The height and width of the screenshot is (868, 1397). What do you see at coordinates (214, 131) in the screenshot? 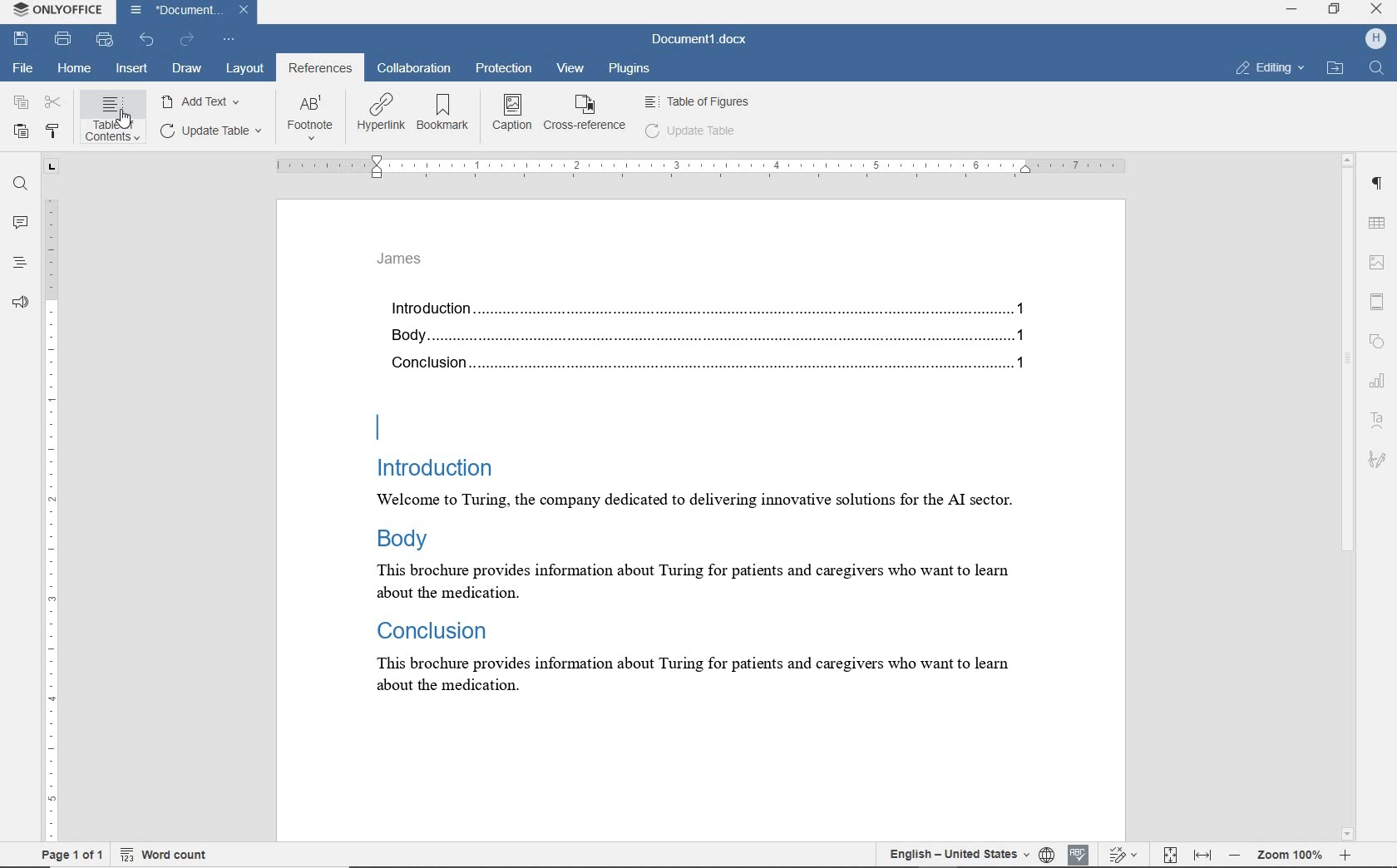
I see `update table` at bounding box center [214, 131].